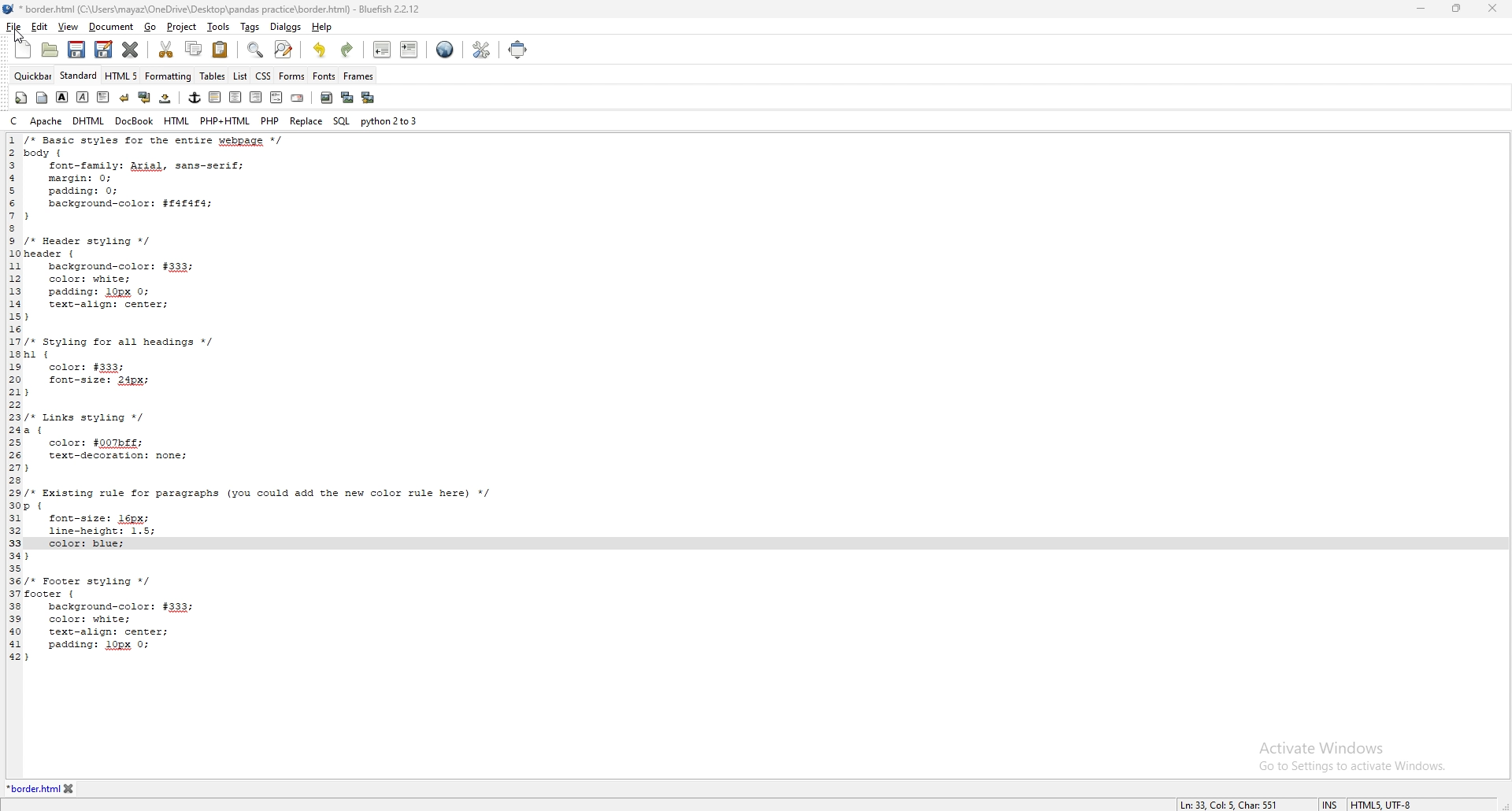 The image size is (1512, 811). What do you see at coordinates (9, 9) in the screenshot?
I see `bluefish logo` at bounding box center [9, 9].